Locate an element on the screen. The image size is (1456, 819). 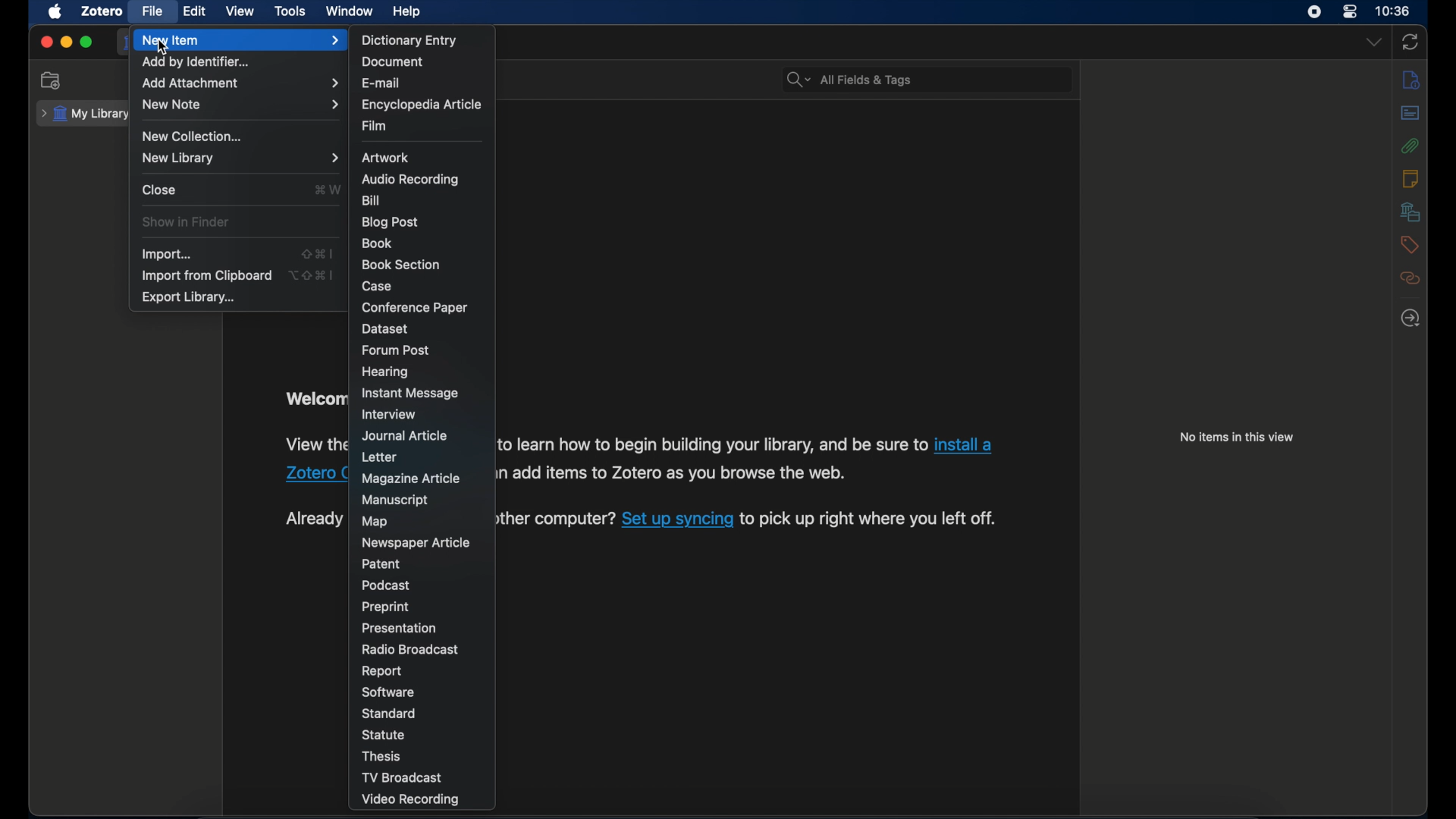
new item is located at coordinates (242, 40).